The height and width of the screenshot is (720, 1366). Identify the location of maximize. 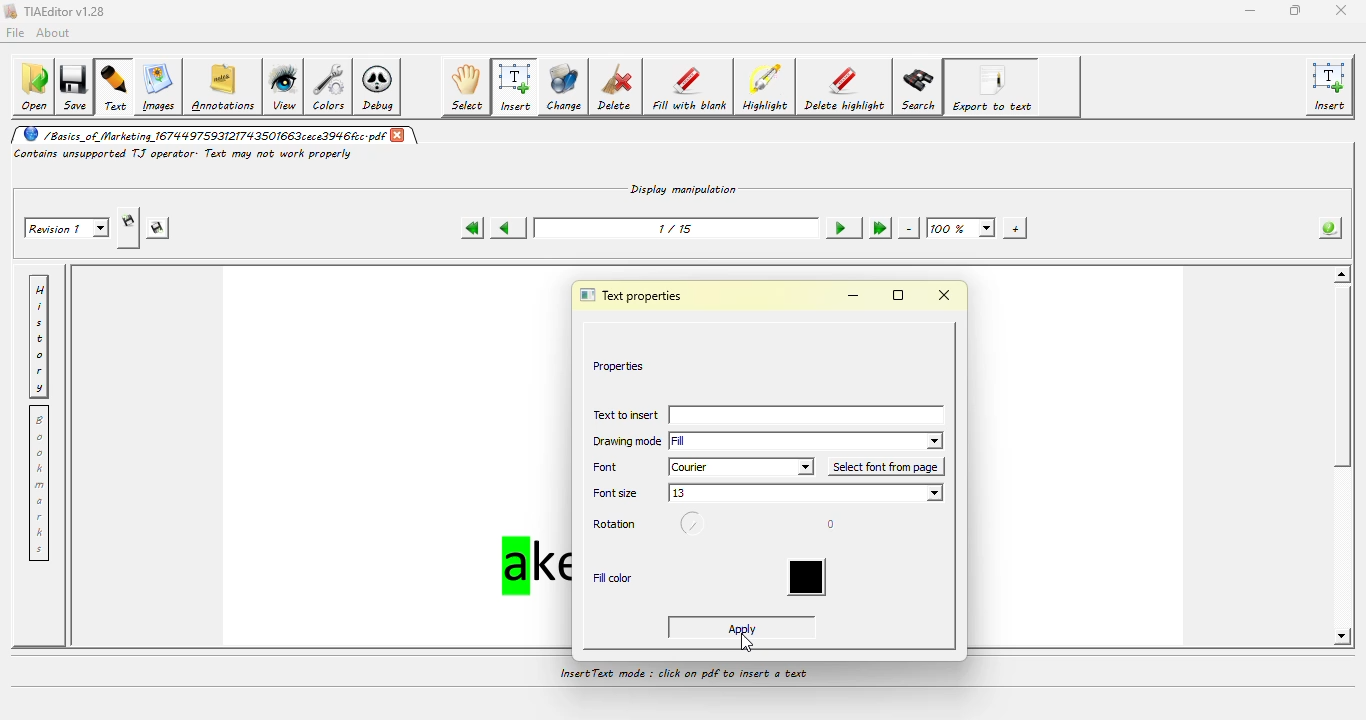
(899, 295).